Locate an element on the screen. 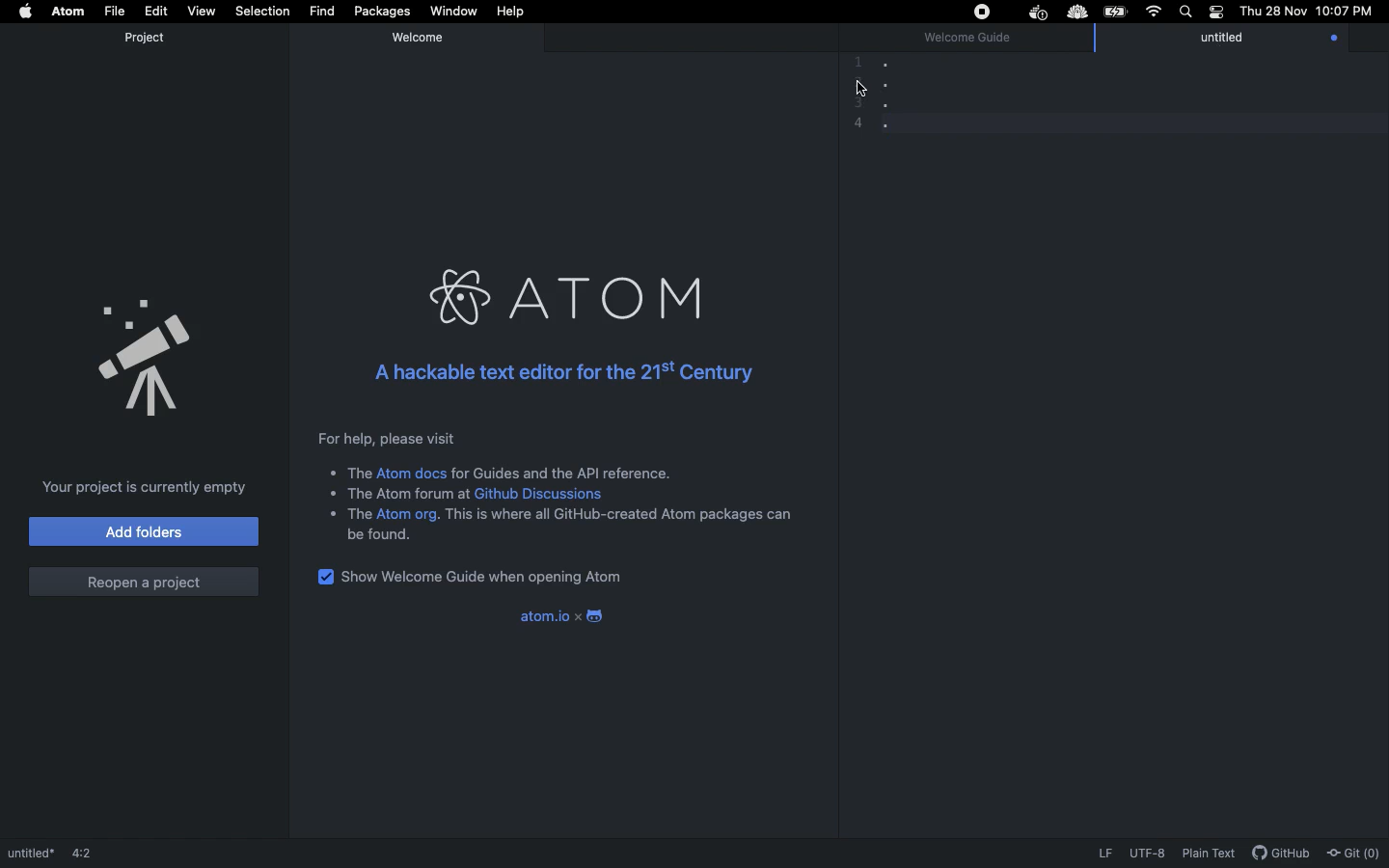 This screenshot has width=1389, height=868. Docker is located at coordinates (1035, 14).